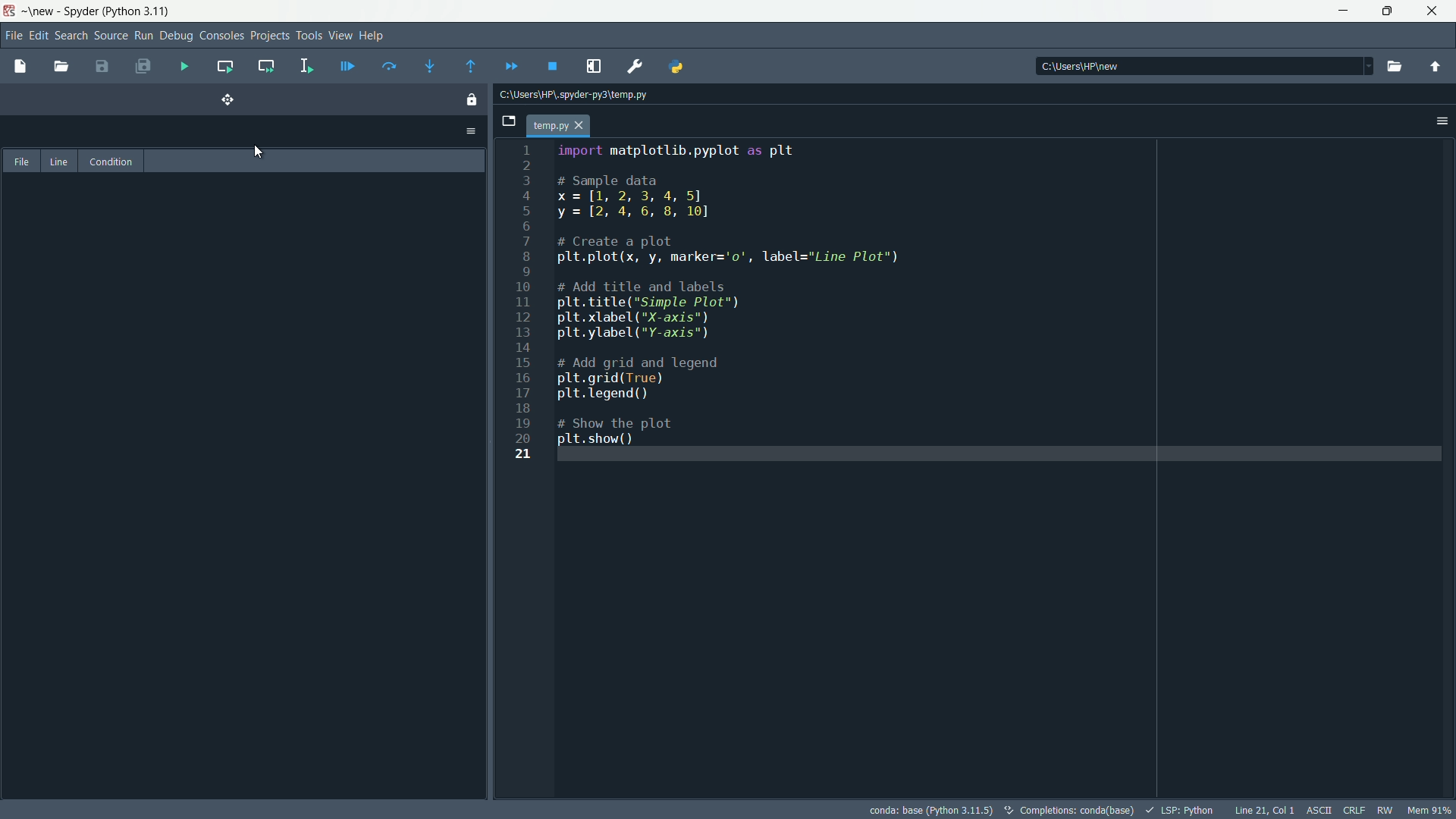 This screenshot has height=819, width=1456. What do you see at coordinates (1429, 810) in the screenshot?
I see `memory usage` at bounding box center [1429, 810].